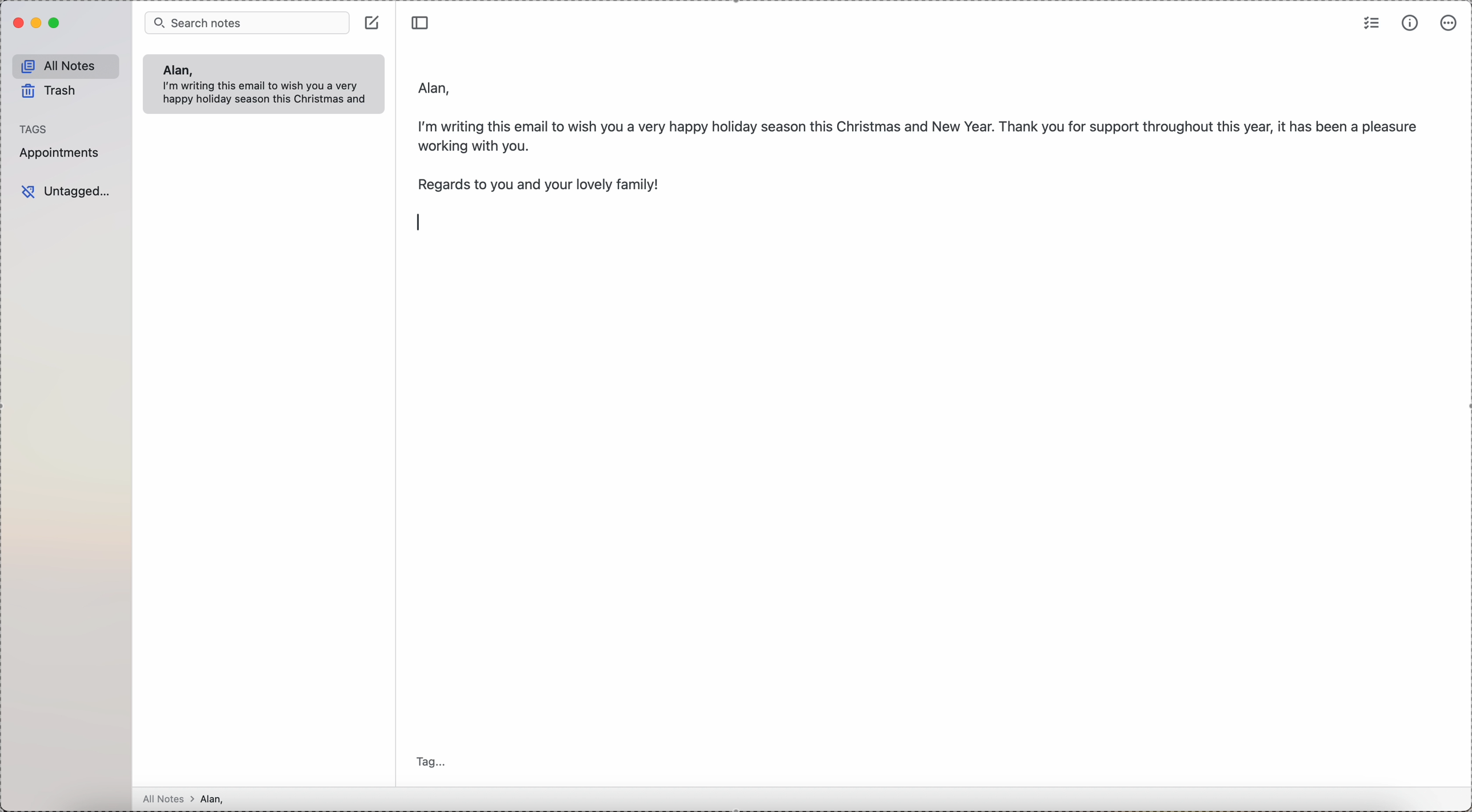 The width and height of the screenshot is (1472, 812). Describe the element at coordinates (1372, 22) in the screenshot. I see `check list` at that location.